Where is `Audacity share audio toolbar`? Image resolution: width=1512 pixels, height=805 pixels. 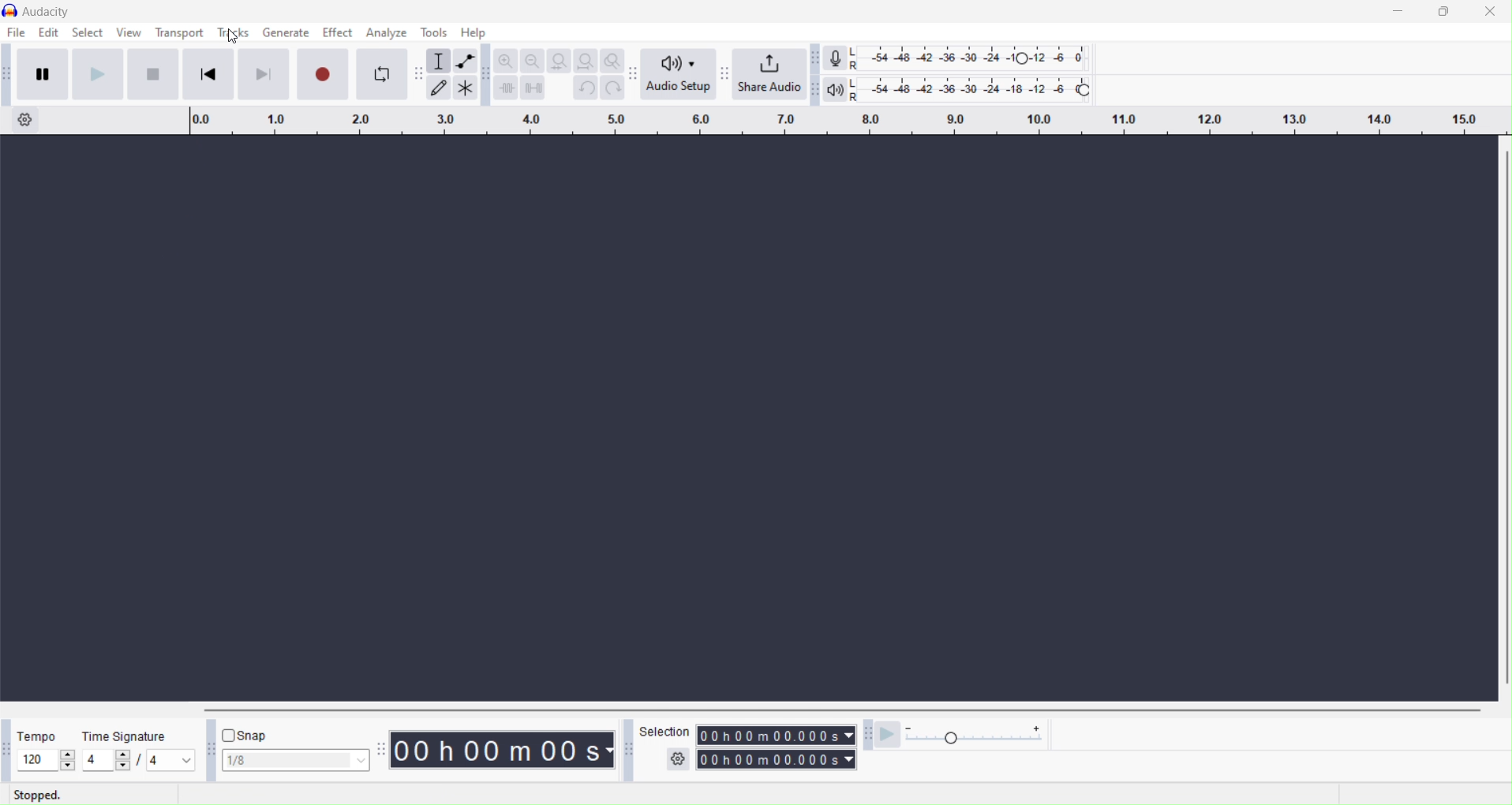 Audacity share audio toolbar is located at coordinates (724, 75).